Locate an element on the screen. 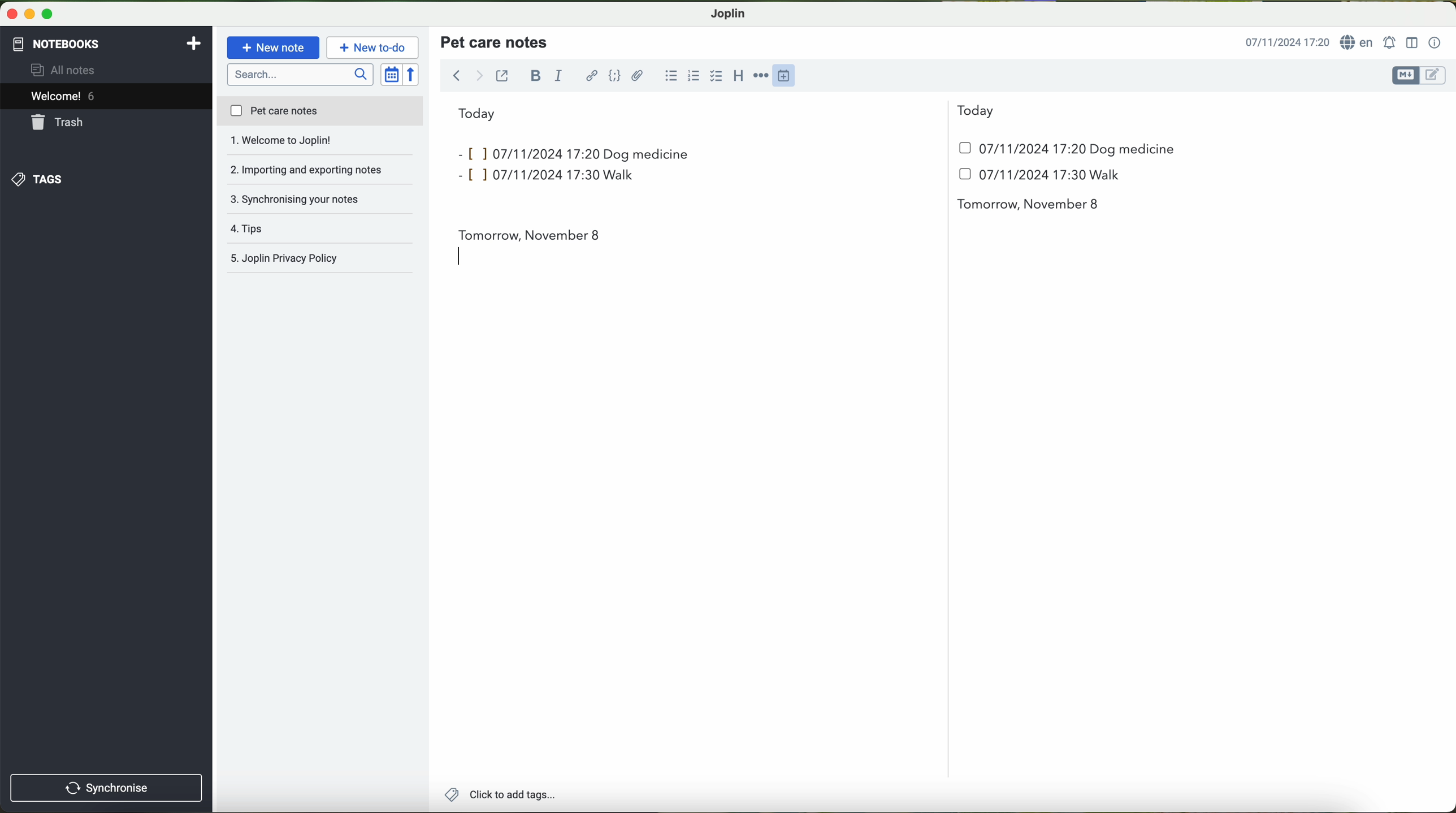 The image size is (1456, 813). note properties is located at coordinates (1435, 43).